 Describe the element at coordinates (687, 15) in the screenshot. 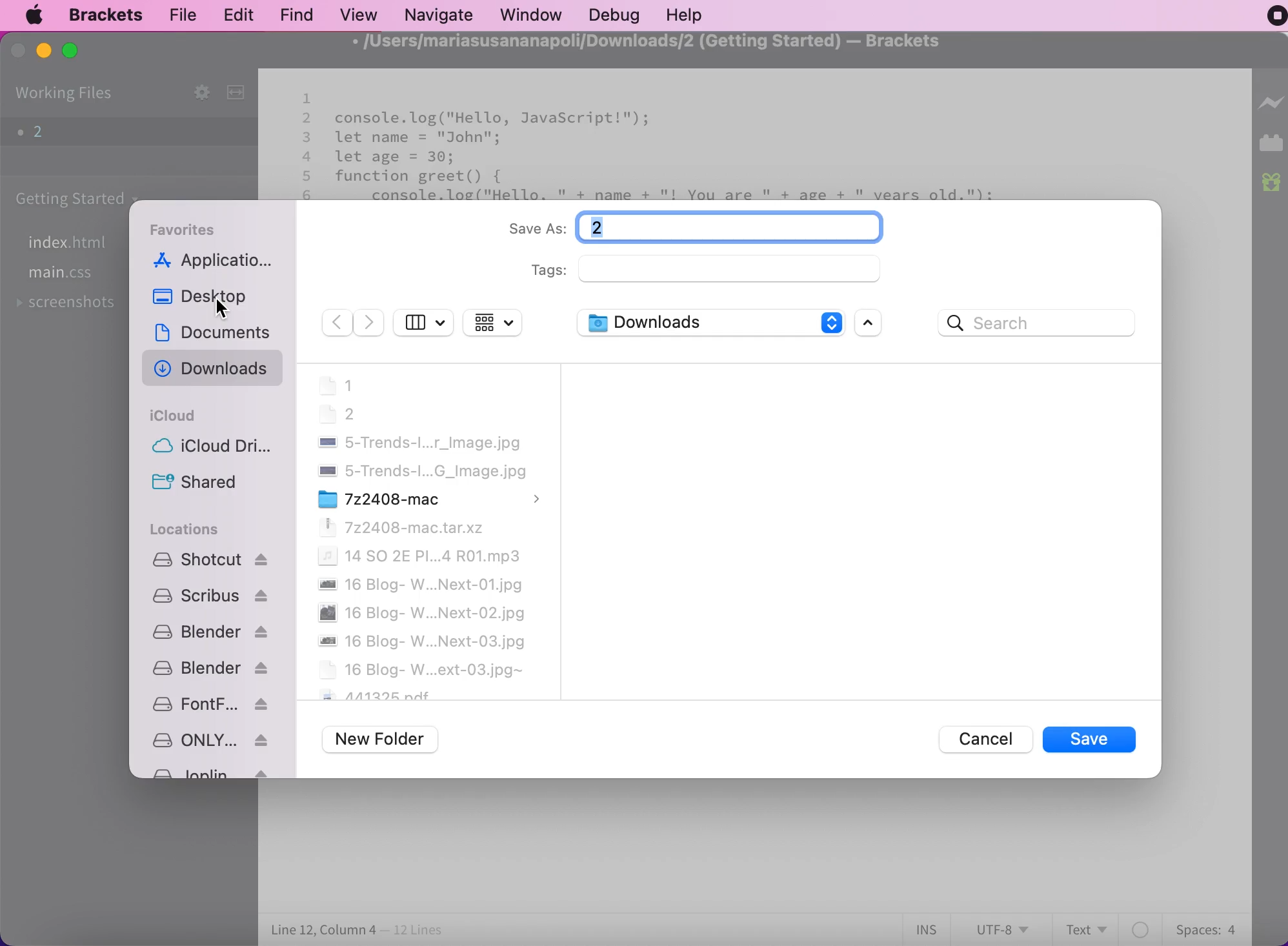

I see `help` at that location.